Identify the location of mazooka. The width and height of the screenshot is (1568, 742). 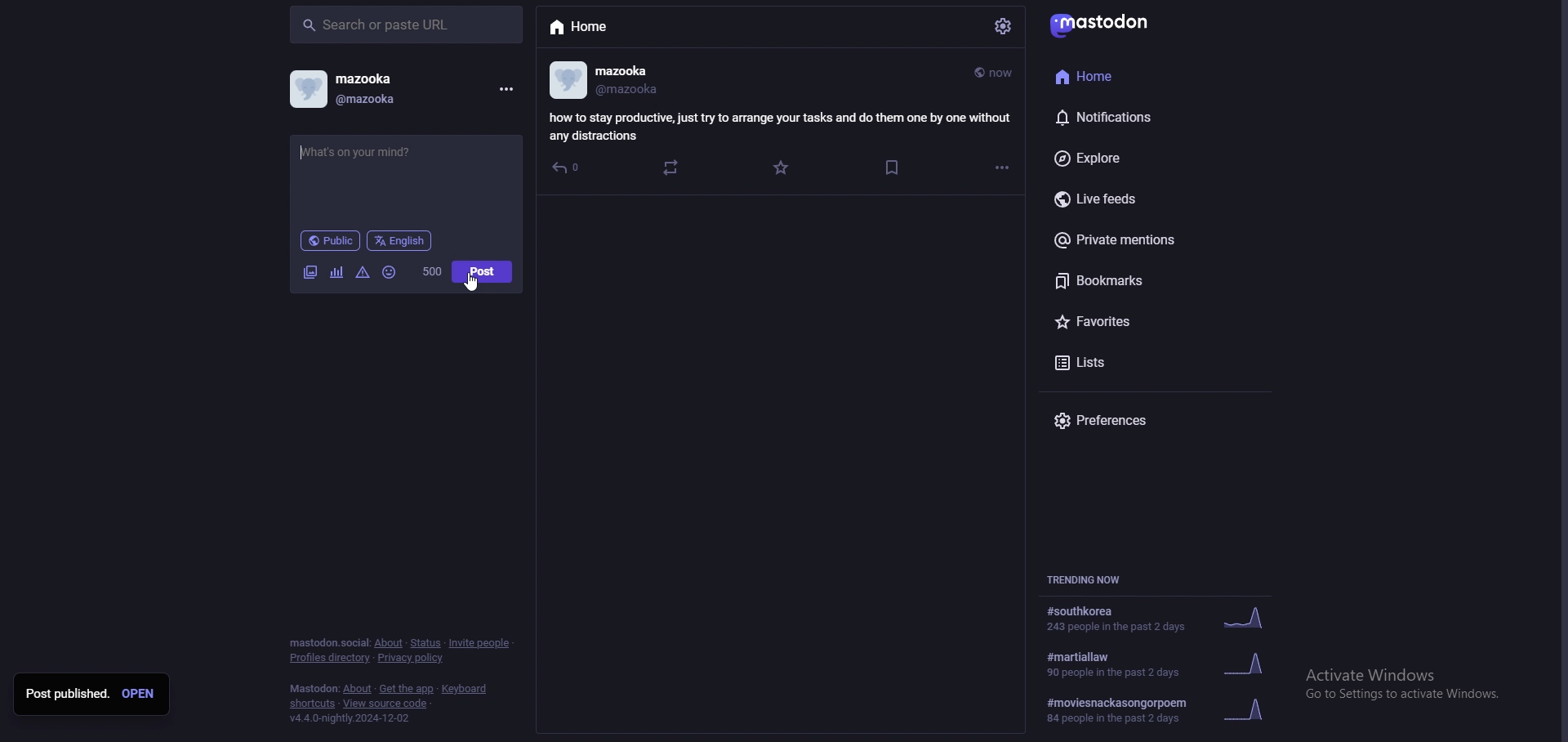
(388, 76).